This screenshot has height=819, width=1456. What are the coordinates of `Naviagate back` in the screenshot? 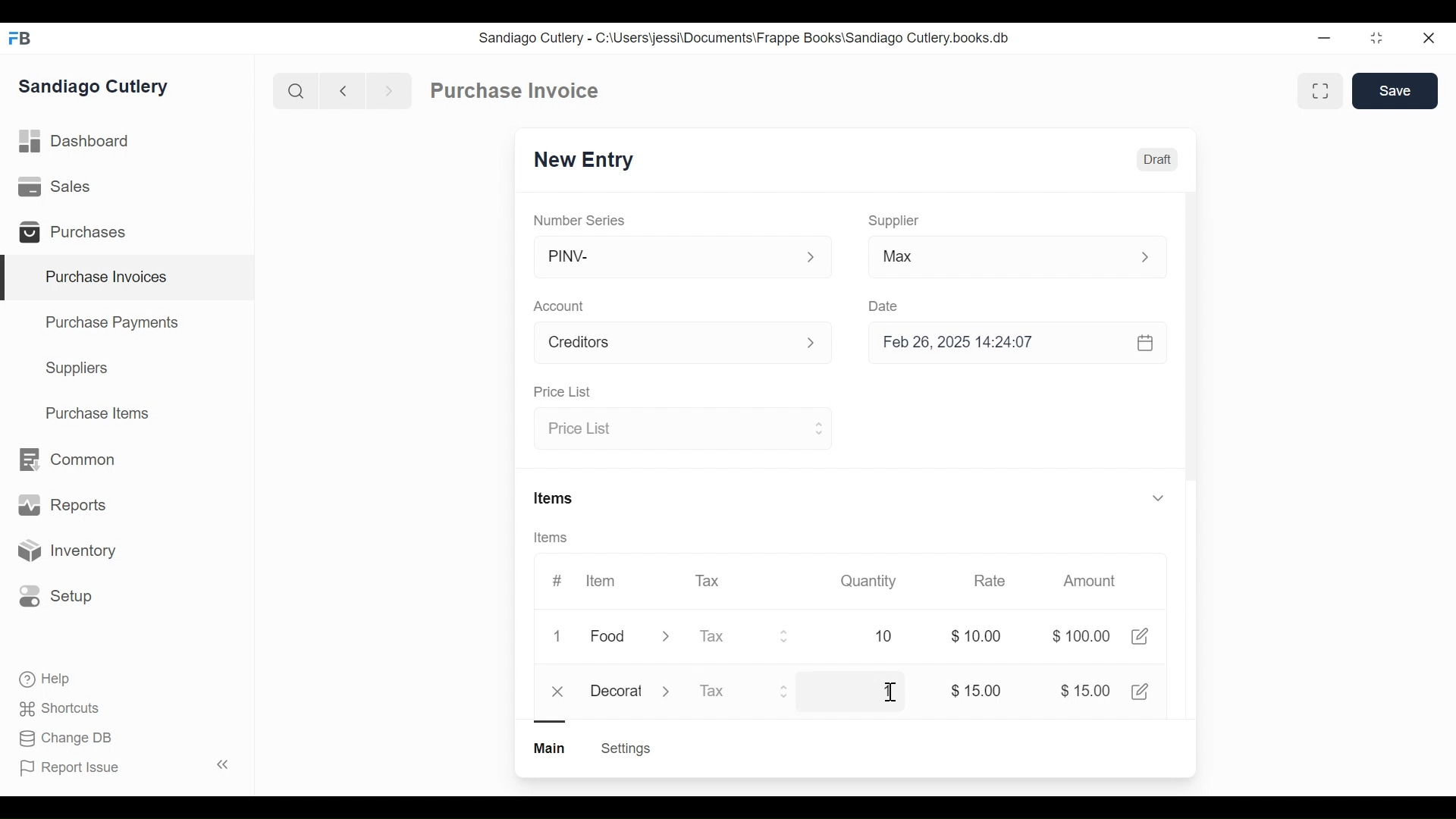 It's located at (344, 89).